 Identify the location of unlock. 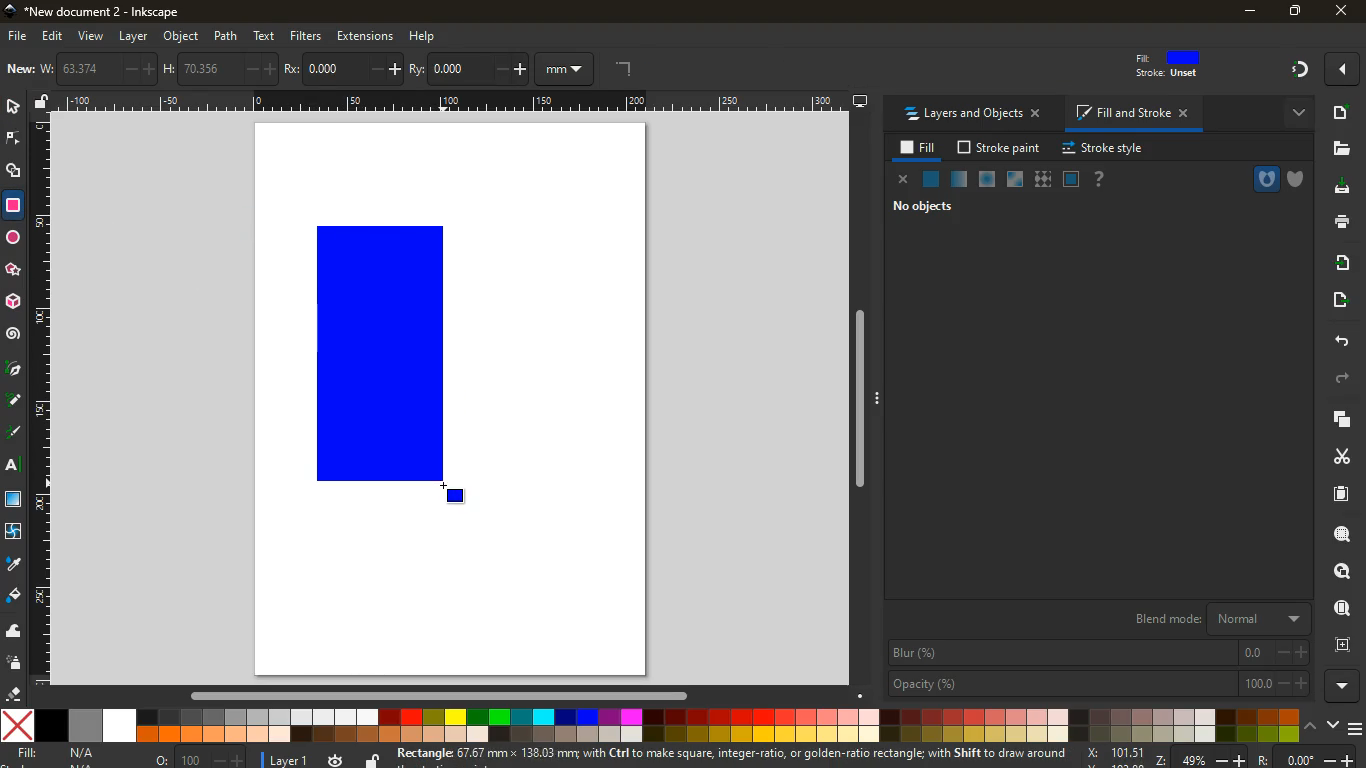
(374, 760).